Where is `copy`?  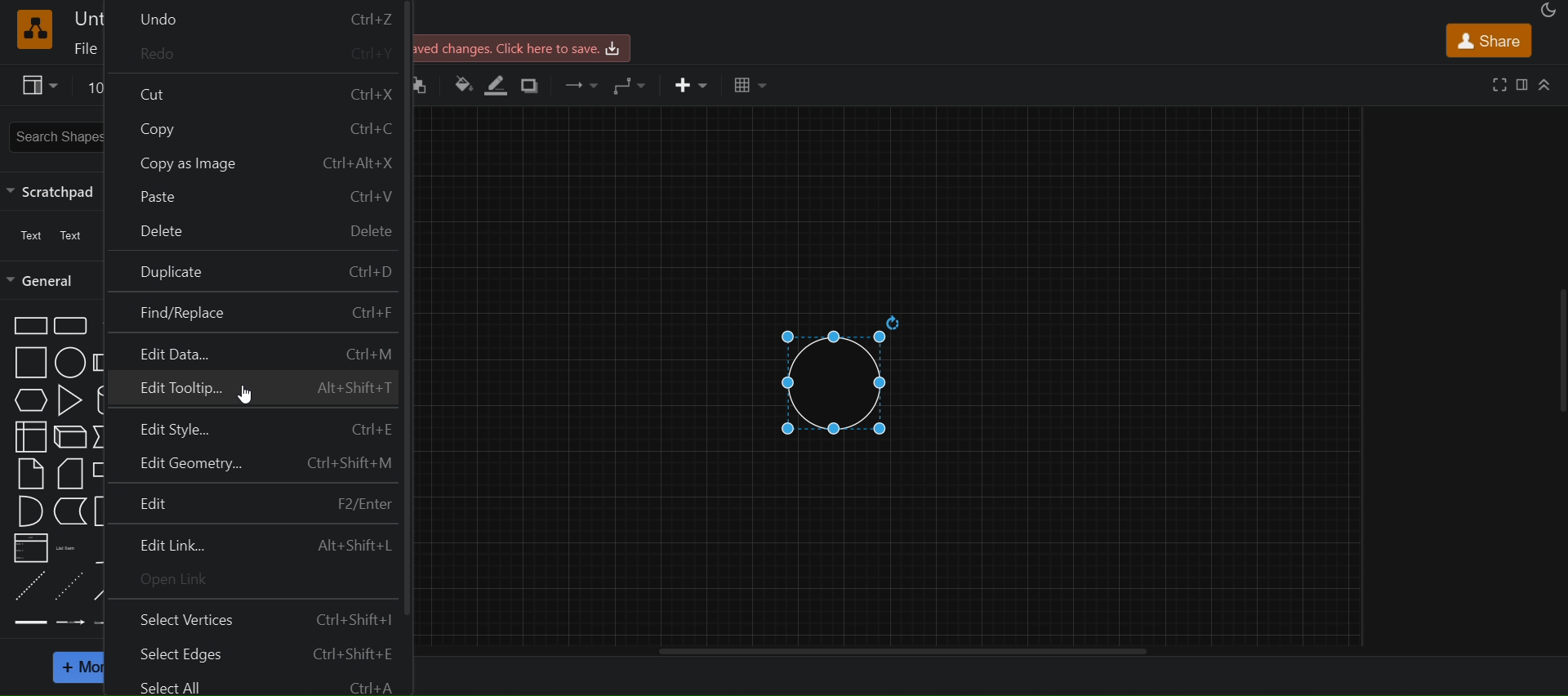
copy is located at coordinates (257, 124).